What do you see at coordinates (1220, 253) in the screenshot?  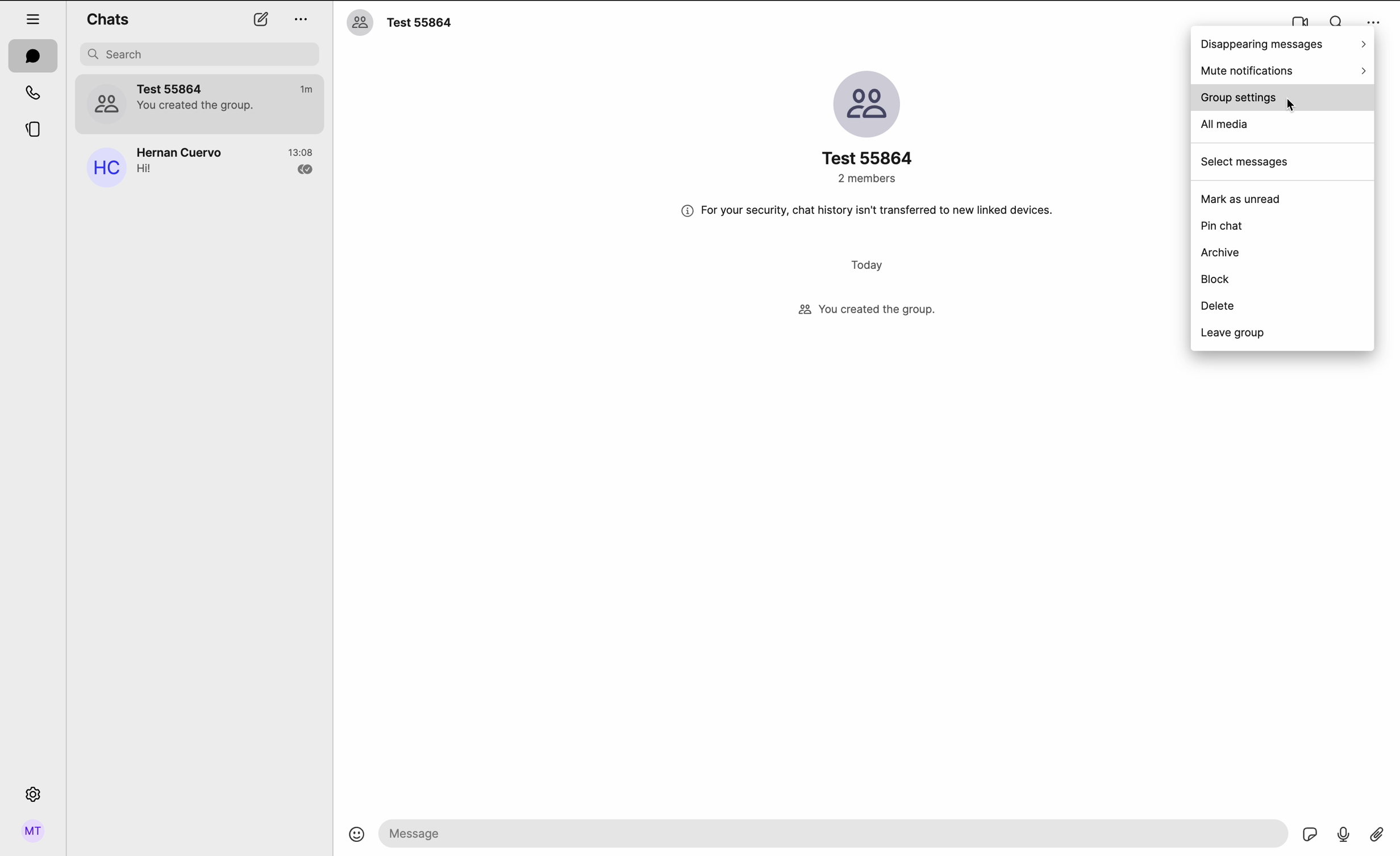 I see `archive` at bounding box center [1220, 253].